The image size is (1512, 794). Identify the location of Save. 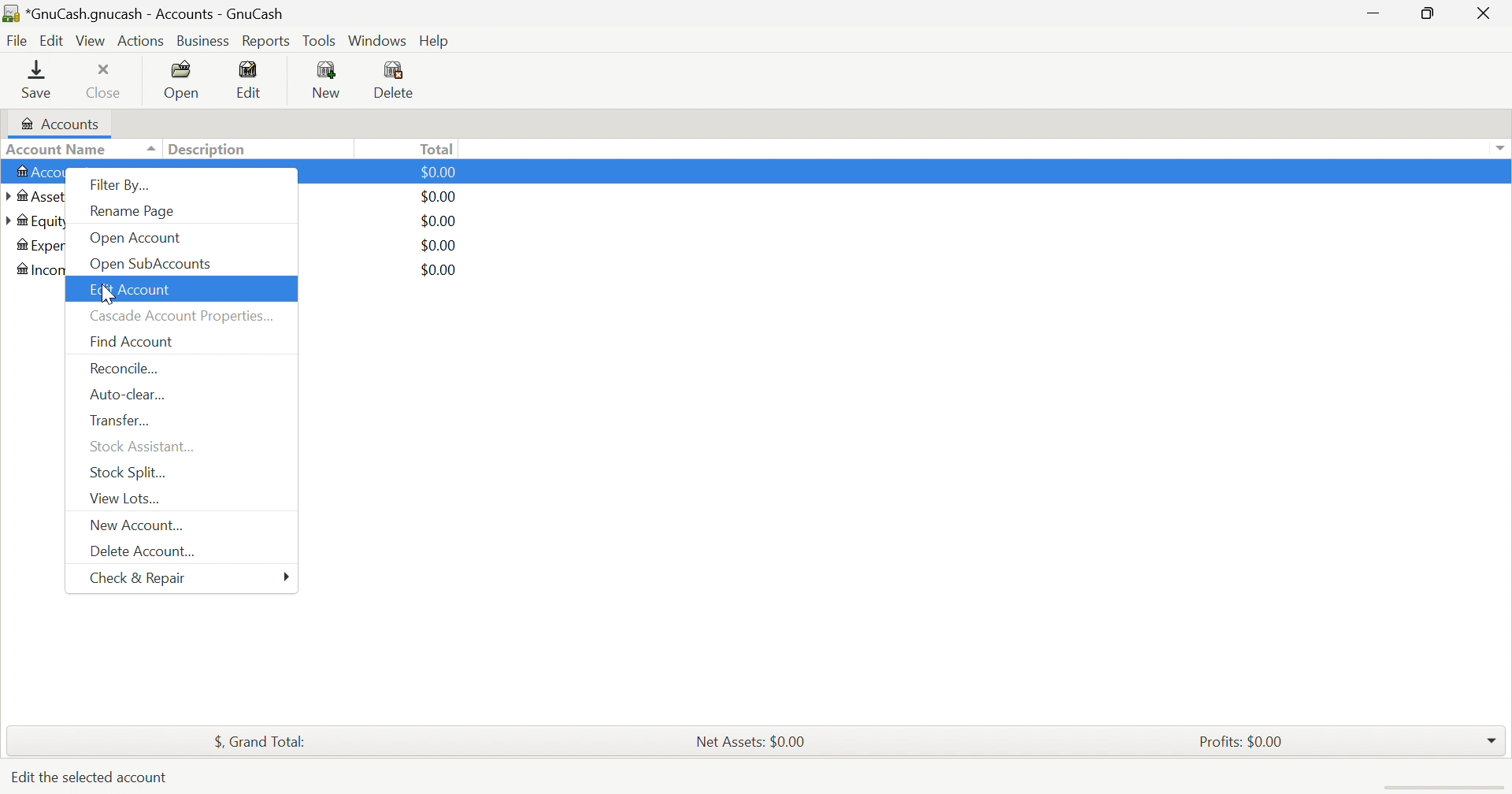
(42, 80).